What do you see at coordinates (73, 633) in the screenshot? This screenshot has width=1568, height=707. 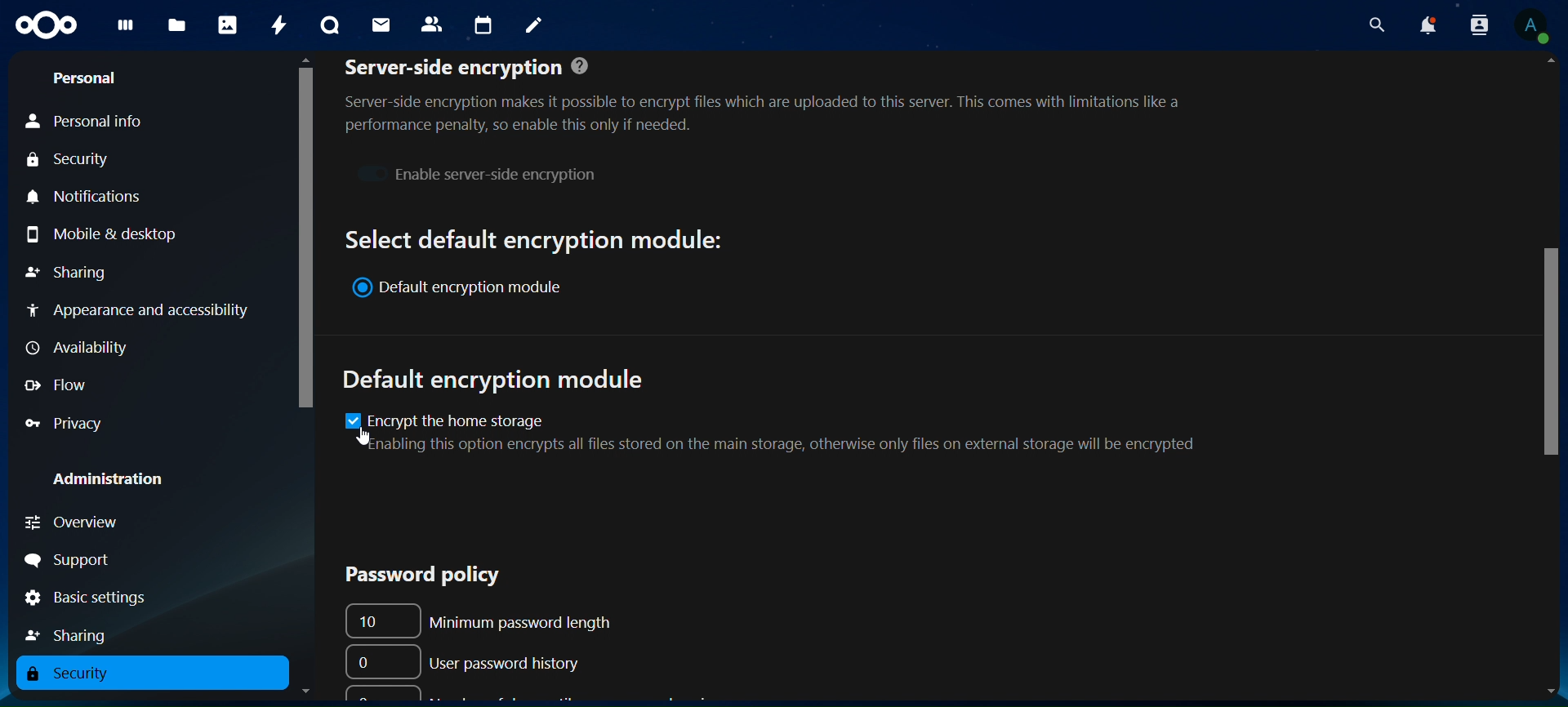 I see `haring` at bounding box center [73, 633].